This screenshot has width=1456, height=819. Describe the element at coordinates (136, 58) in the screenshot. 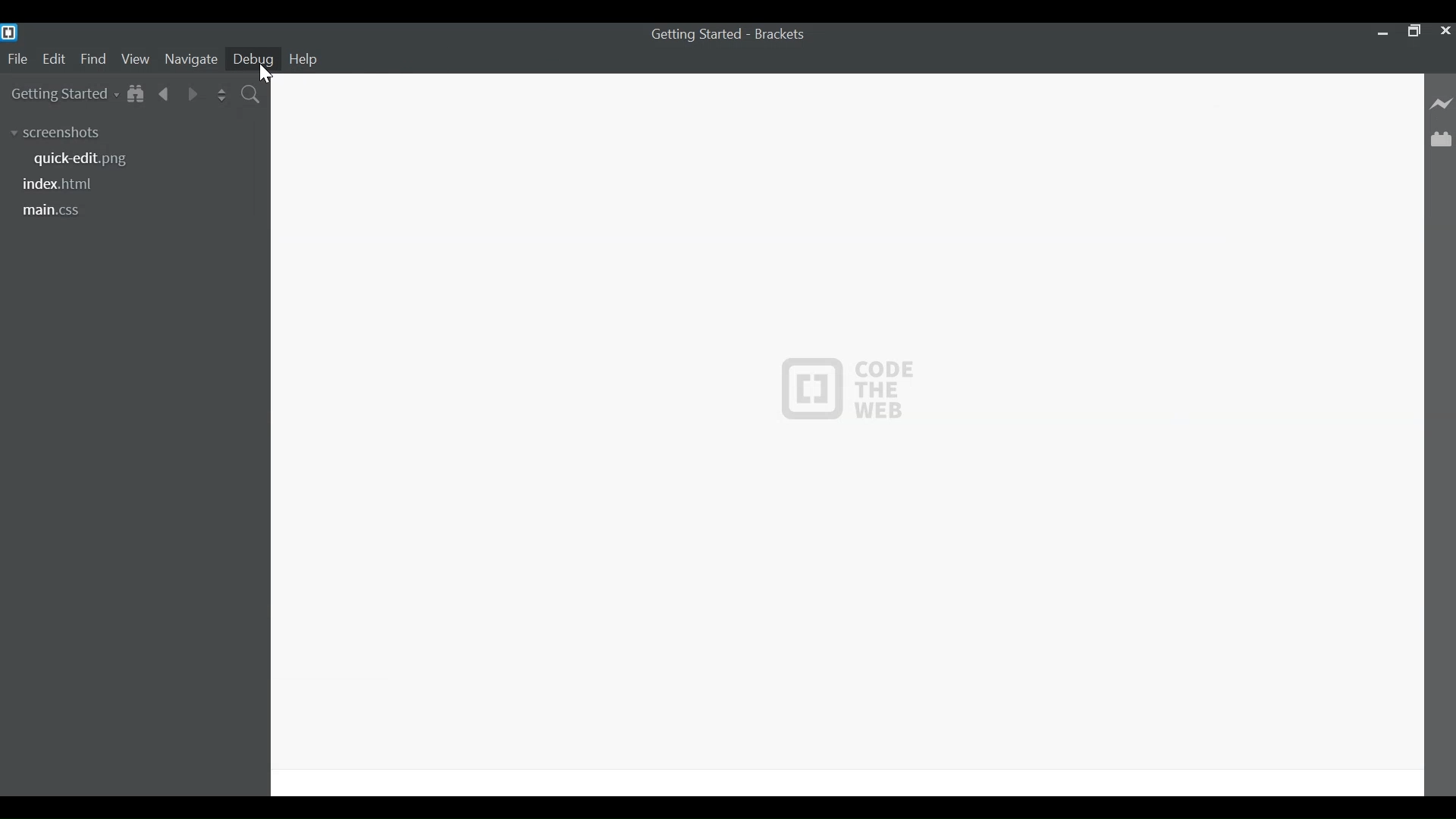

I see `View ` at that location.